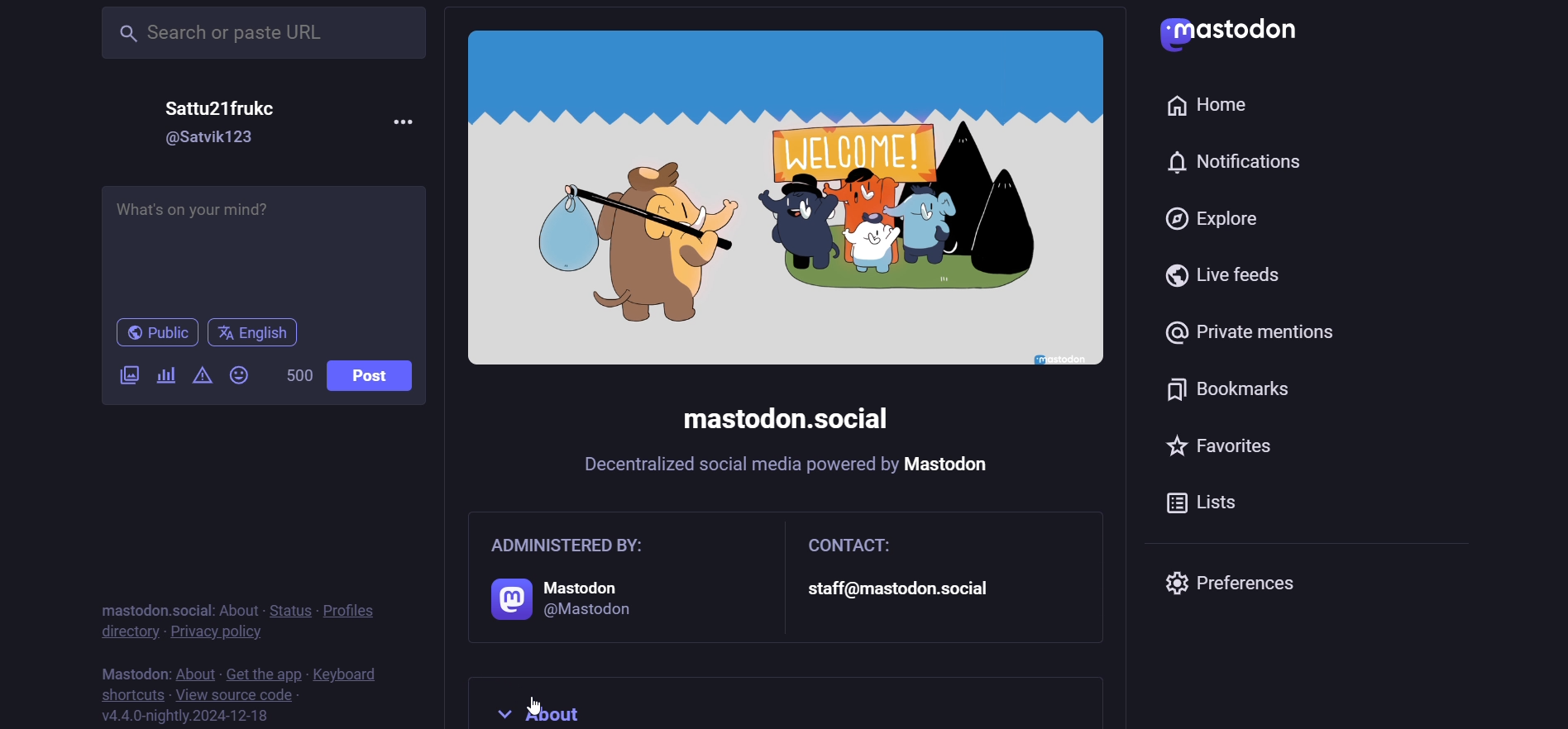  Describe the element at coordinates (1244, 163) in the screenshot. I see `notification` at that location.